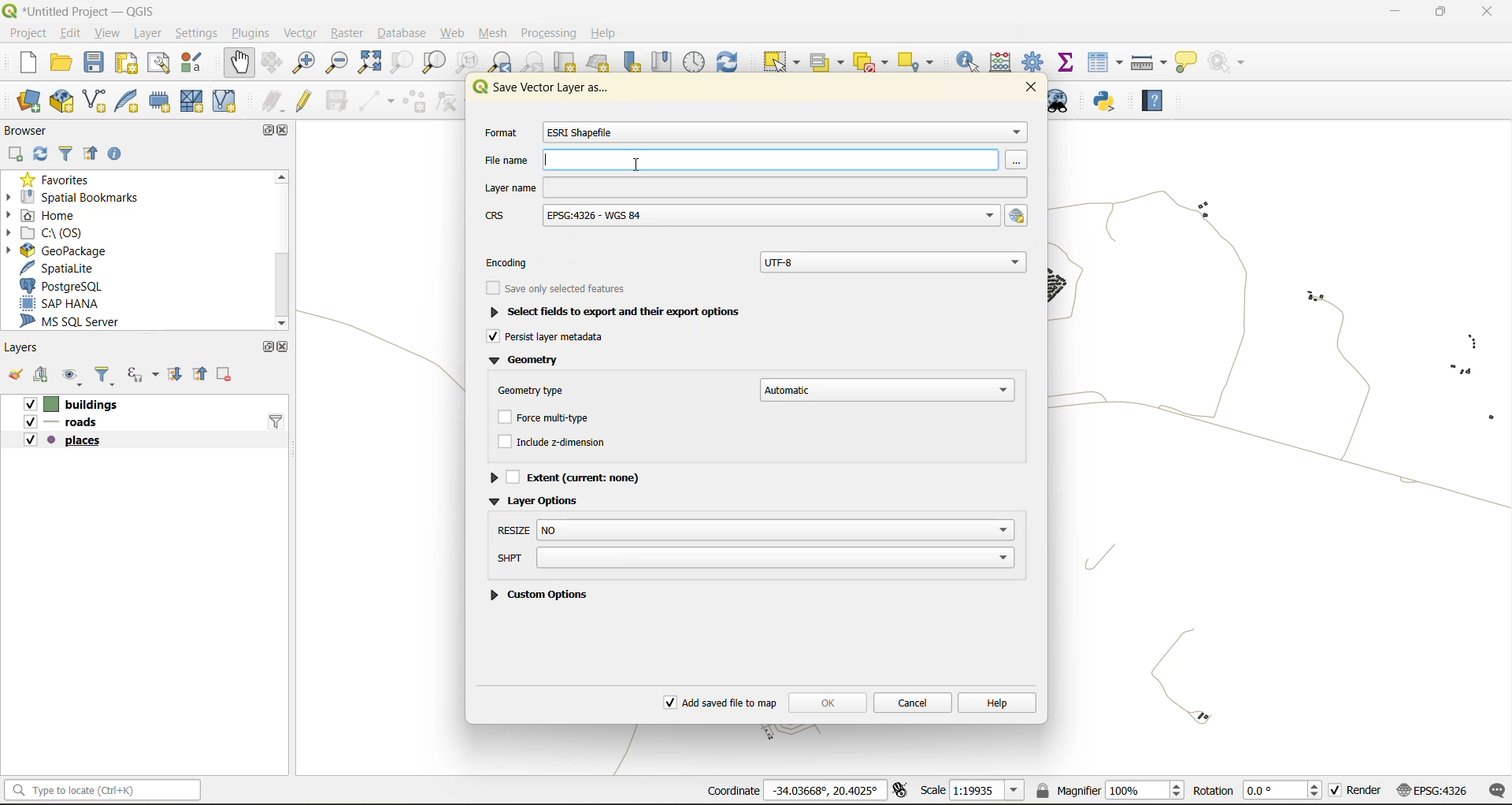 The image size is (1512, 805). What do you see at coordinates (65, 61) in the screenshot?
I see `open` at bounding box center [65, 61].